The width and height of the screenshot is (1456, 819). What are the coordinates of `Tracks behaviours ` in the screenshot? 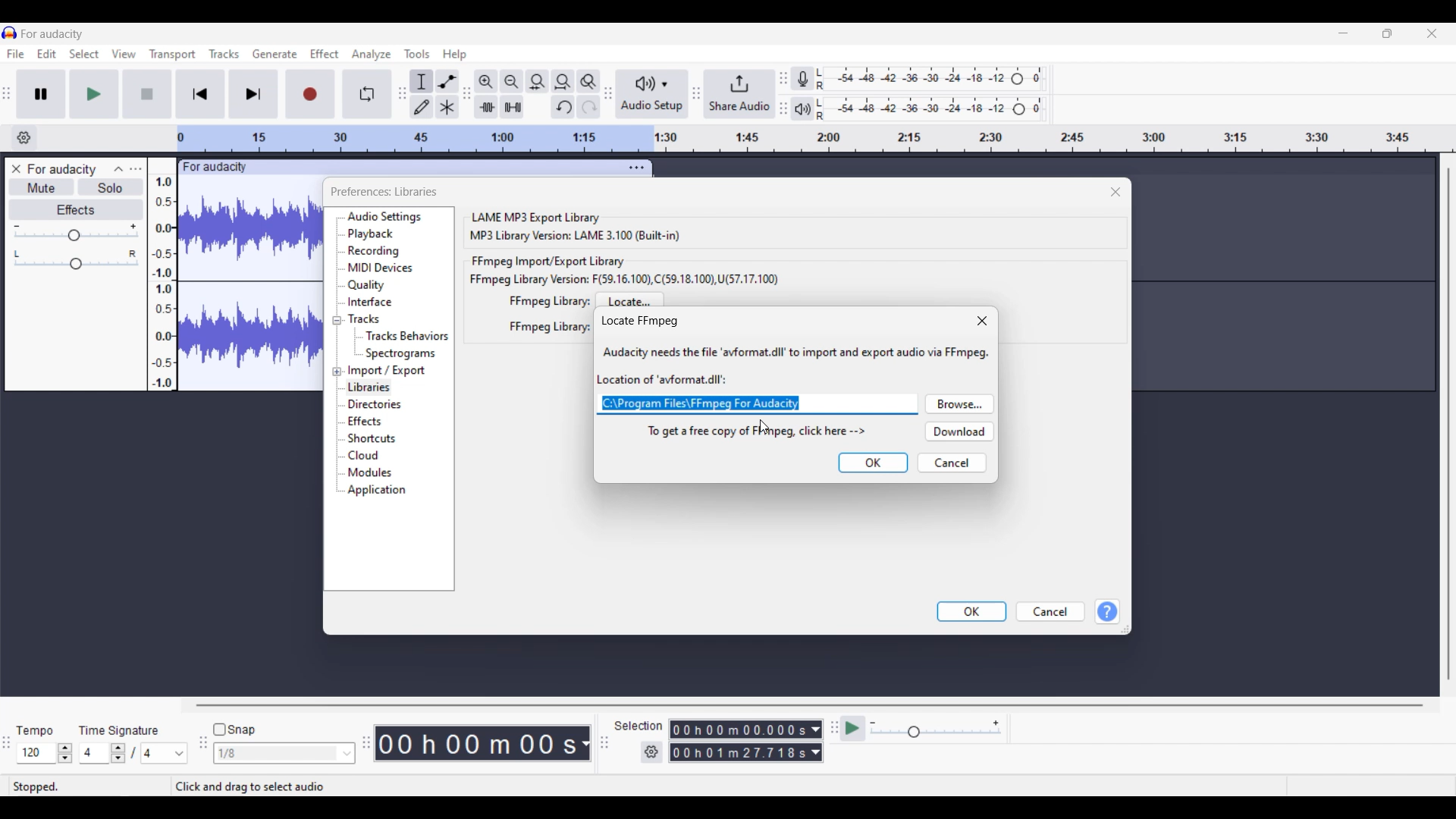 It's located at (407, 337).